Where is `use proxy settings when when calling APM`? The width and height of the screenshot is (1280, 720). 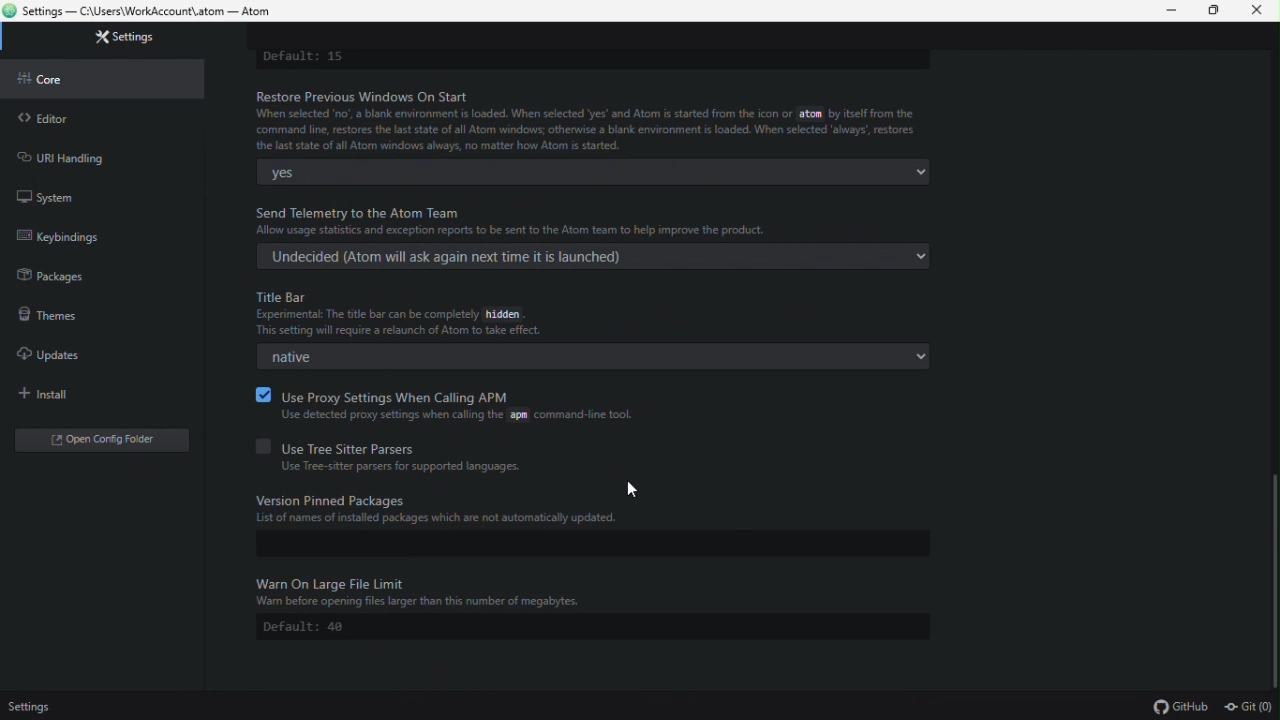
use proxy settings when when calling APM is located at coordinates (468, 406).